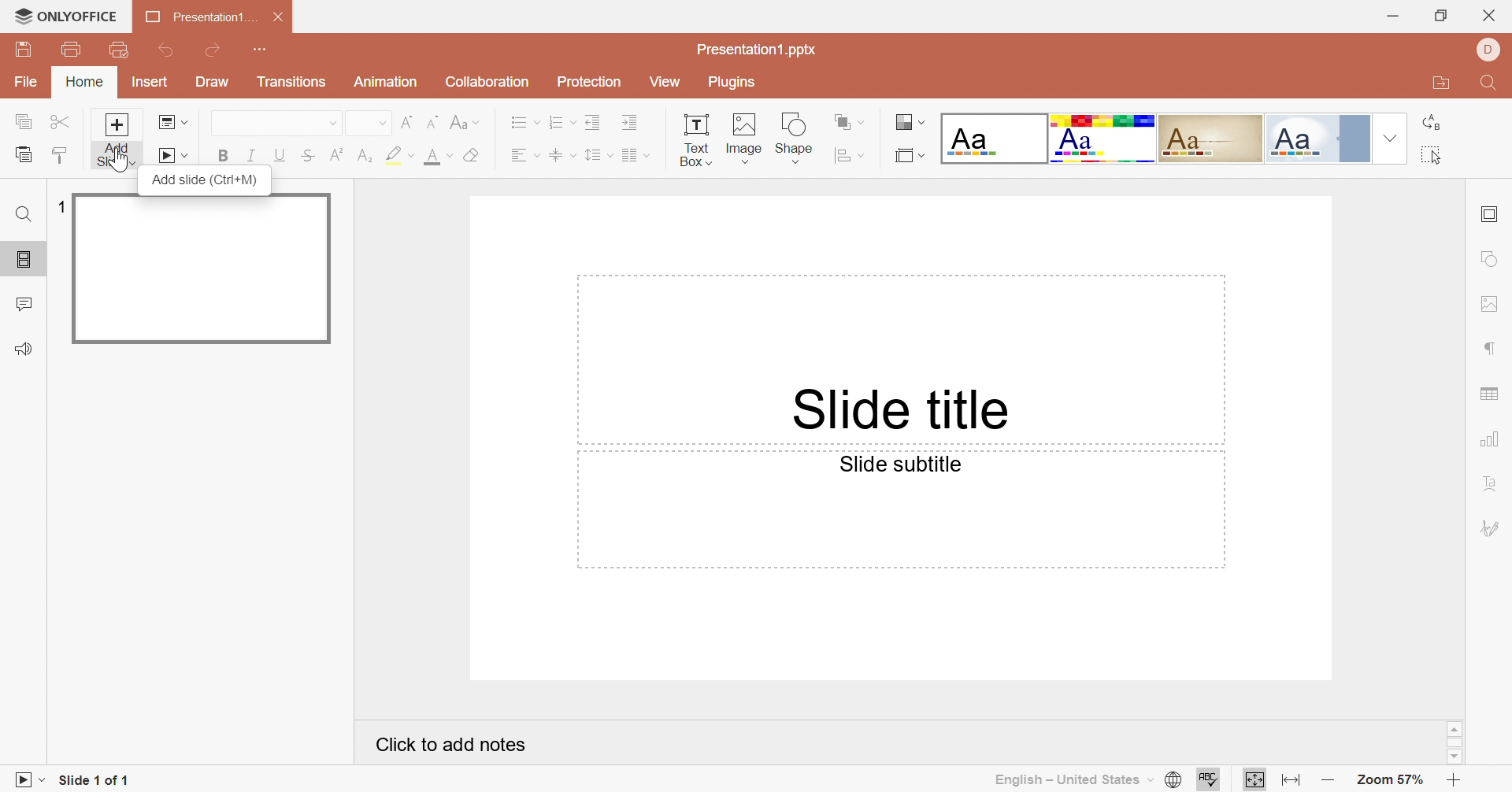  I want to click on Shape, so click(792, 137).